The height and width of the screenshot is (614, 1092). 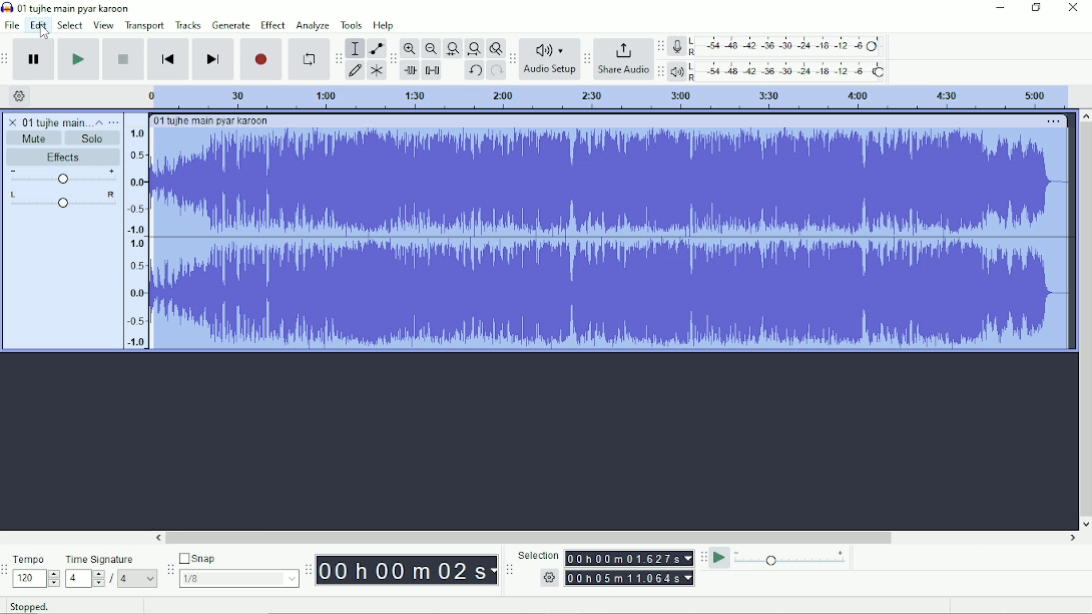 I want to click on Zoom toggle, so click(x=494, y=48).